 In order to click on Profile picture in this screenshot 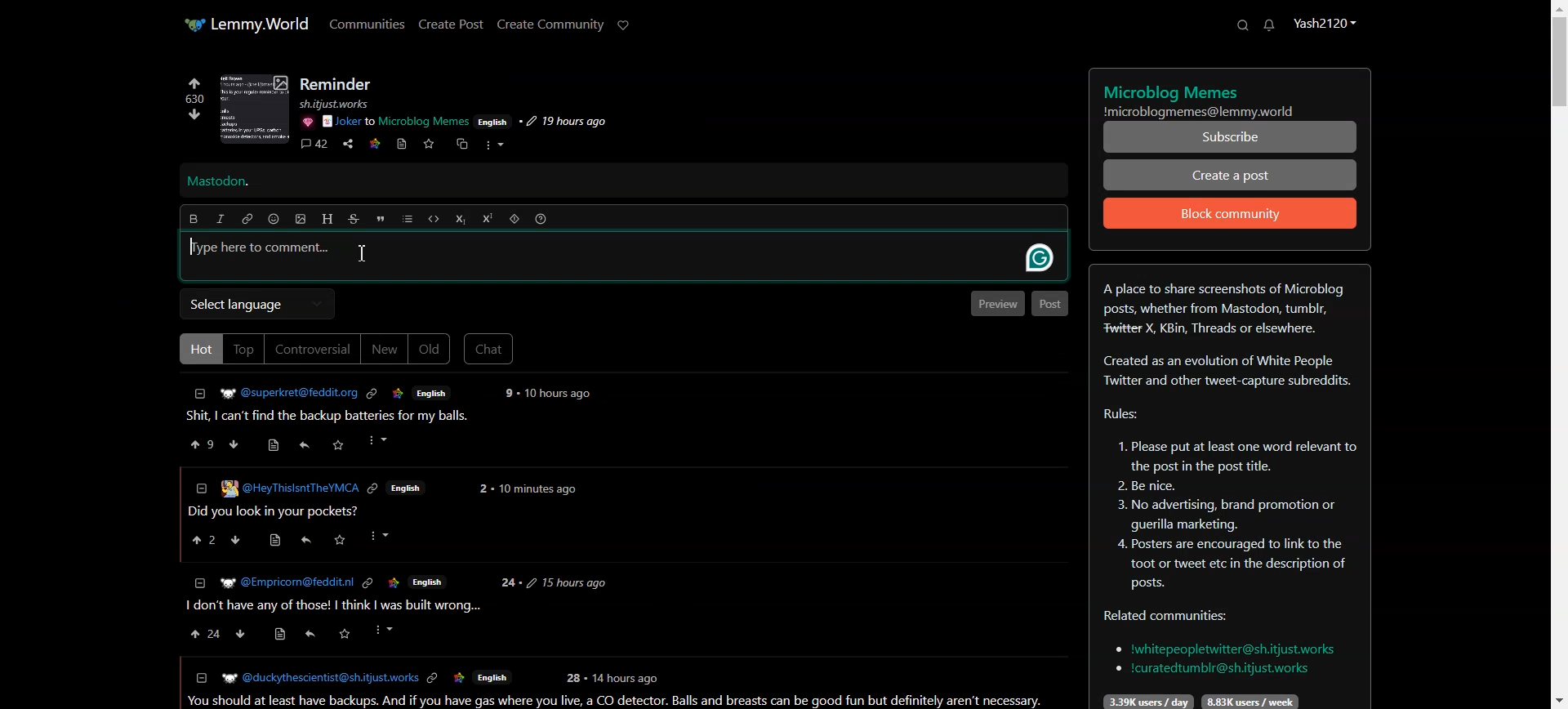, I will do `click(255, 109)`.